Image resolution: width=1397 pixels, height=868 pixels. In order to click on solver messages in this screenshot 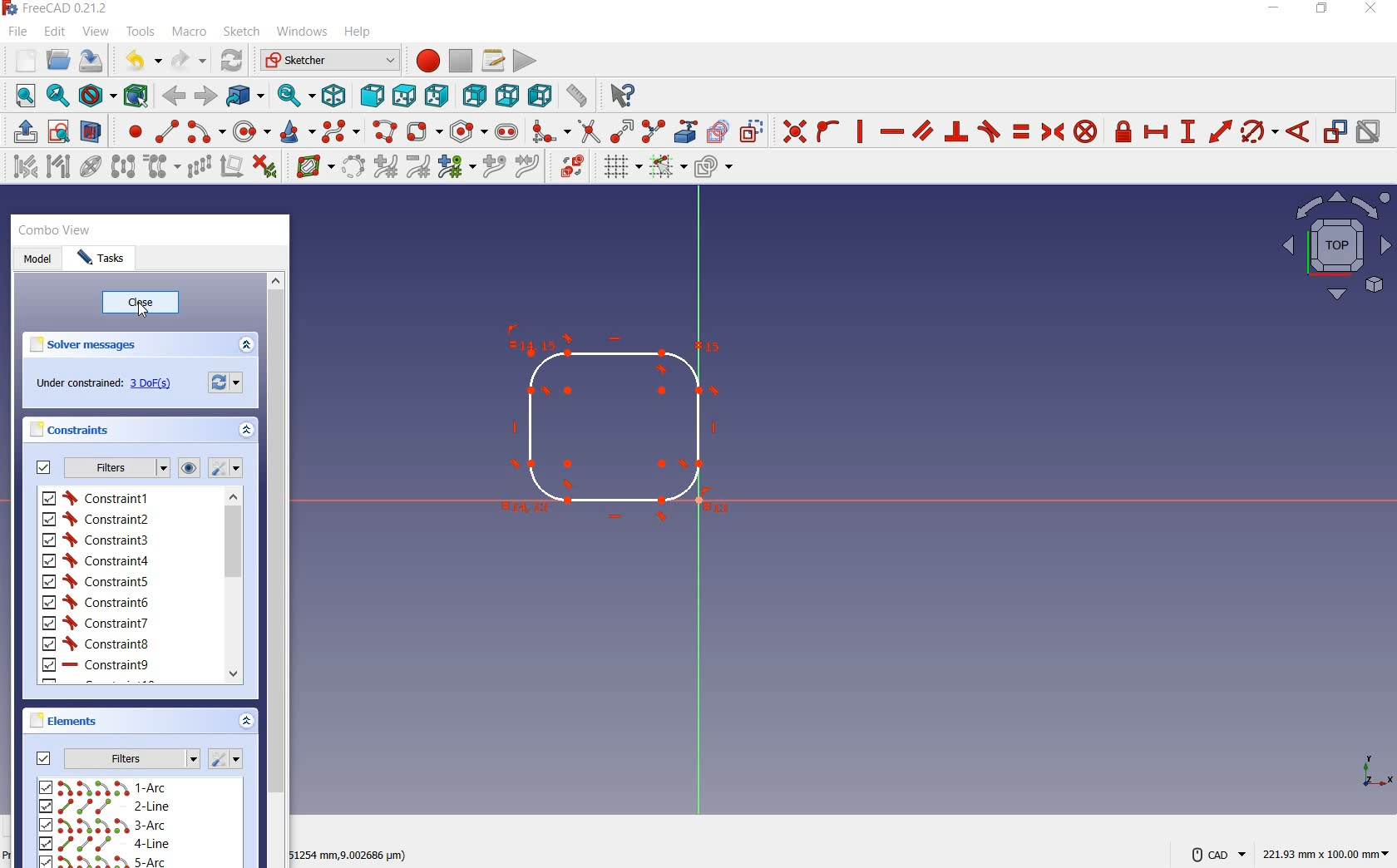, I will do `click(83, 344)`.